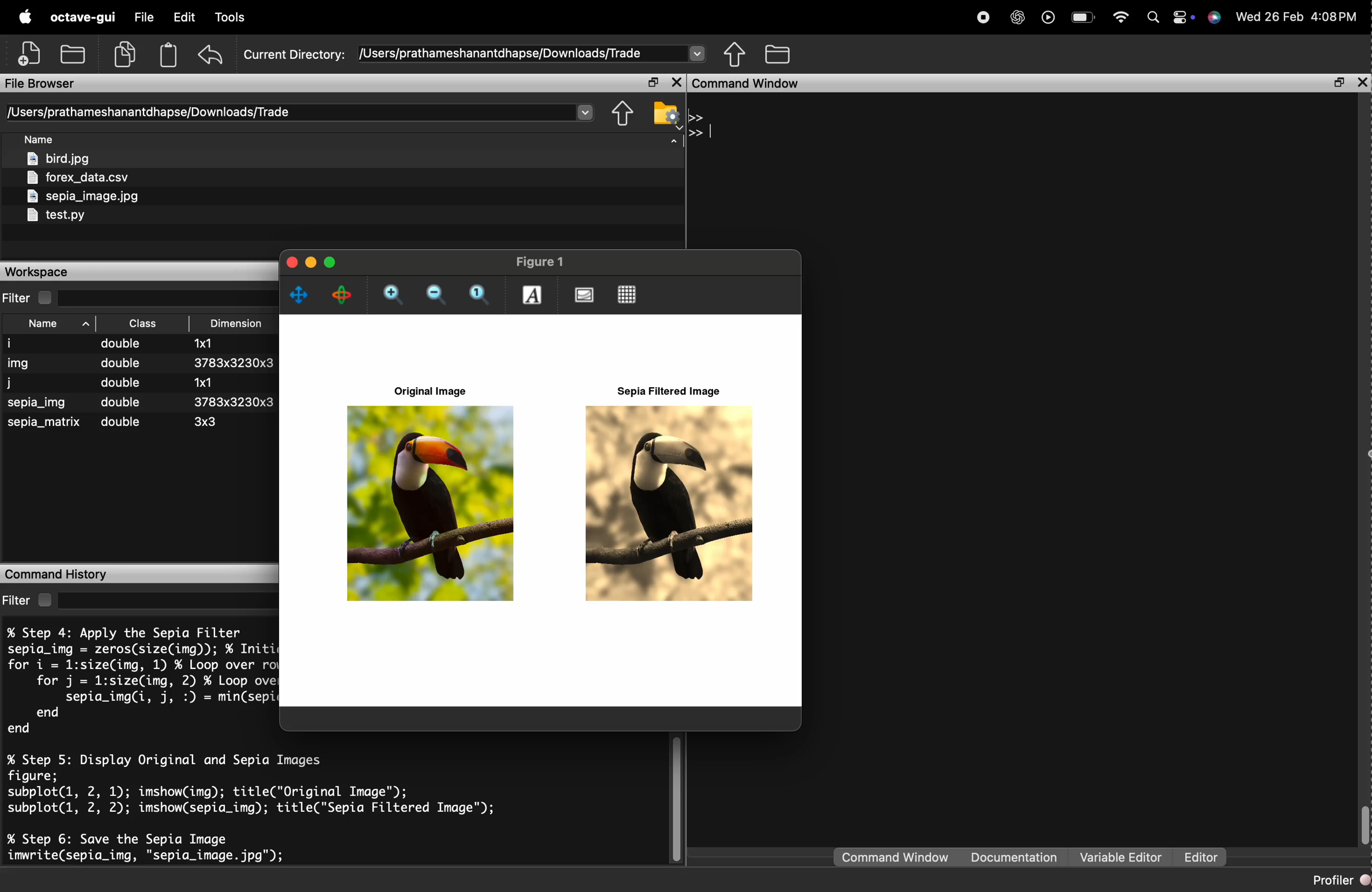 This screenshot has height=892, width=1372. I want to click on pan, so click(299, 294).